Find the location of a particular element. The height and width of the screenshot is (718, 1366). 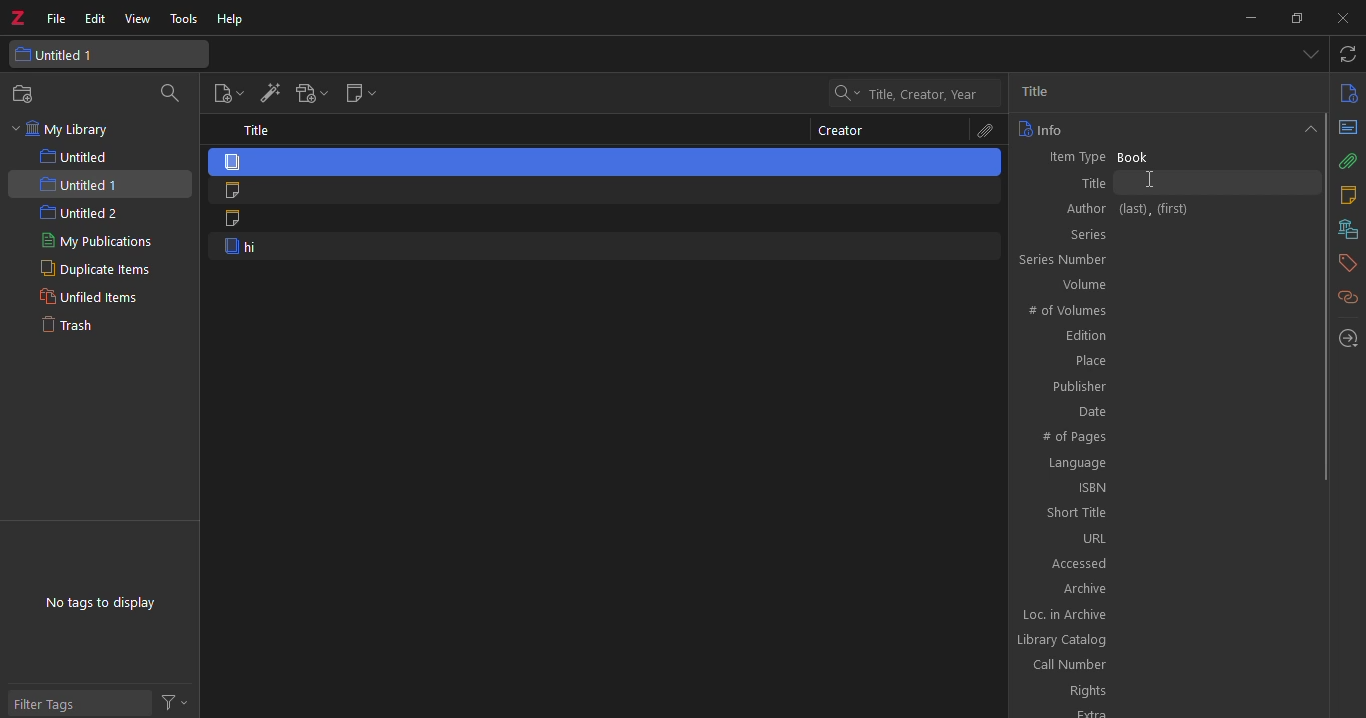

file is located at coordinates (55, 18).